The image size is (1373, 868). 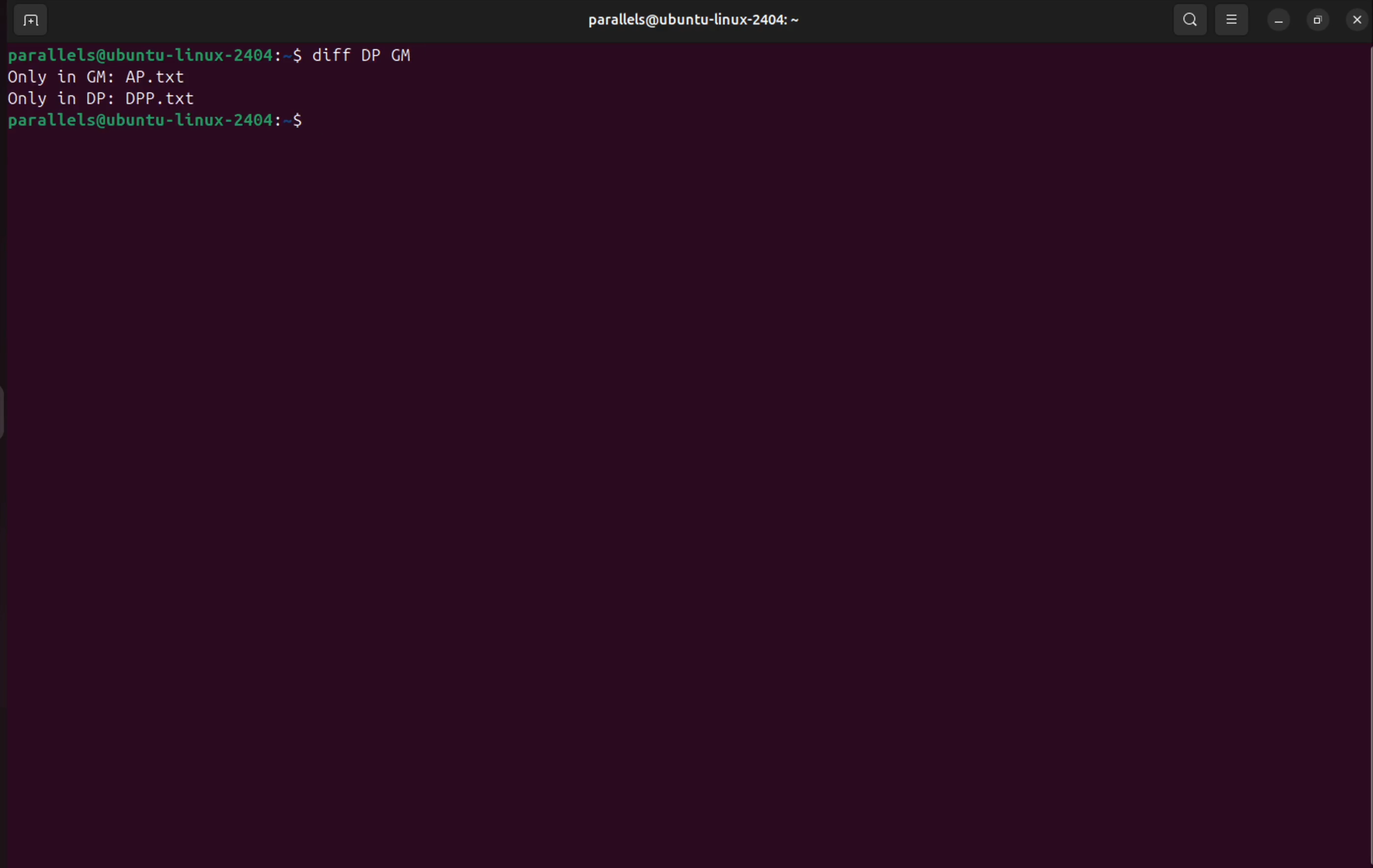 I want to click on add terminal, so click(x=29, y=23).